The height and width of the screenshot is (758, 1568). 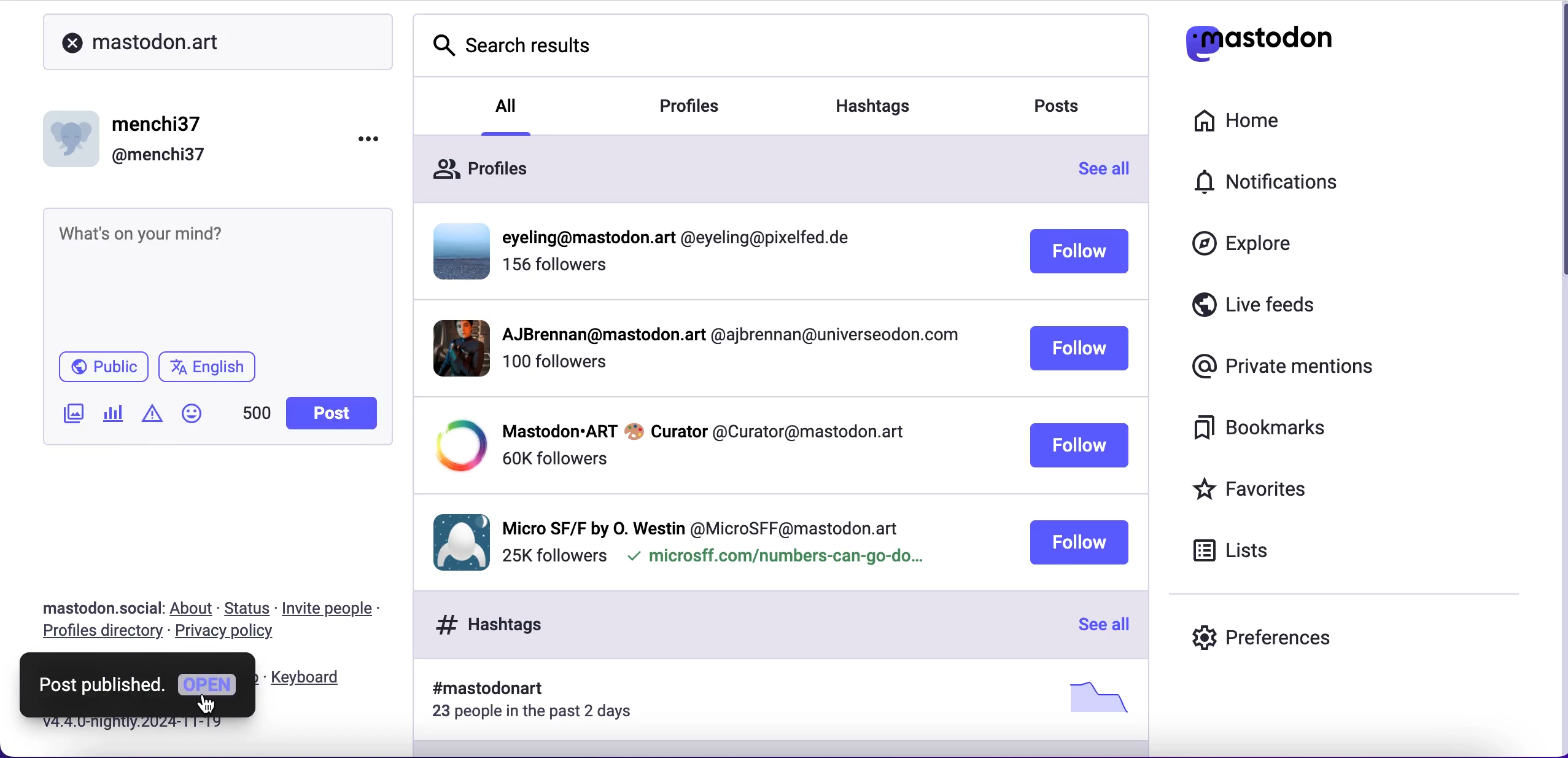 What do you see at coordinates (370, 139) in the screenshot?
I see `options` at bounding box center [370, 139].